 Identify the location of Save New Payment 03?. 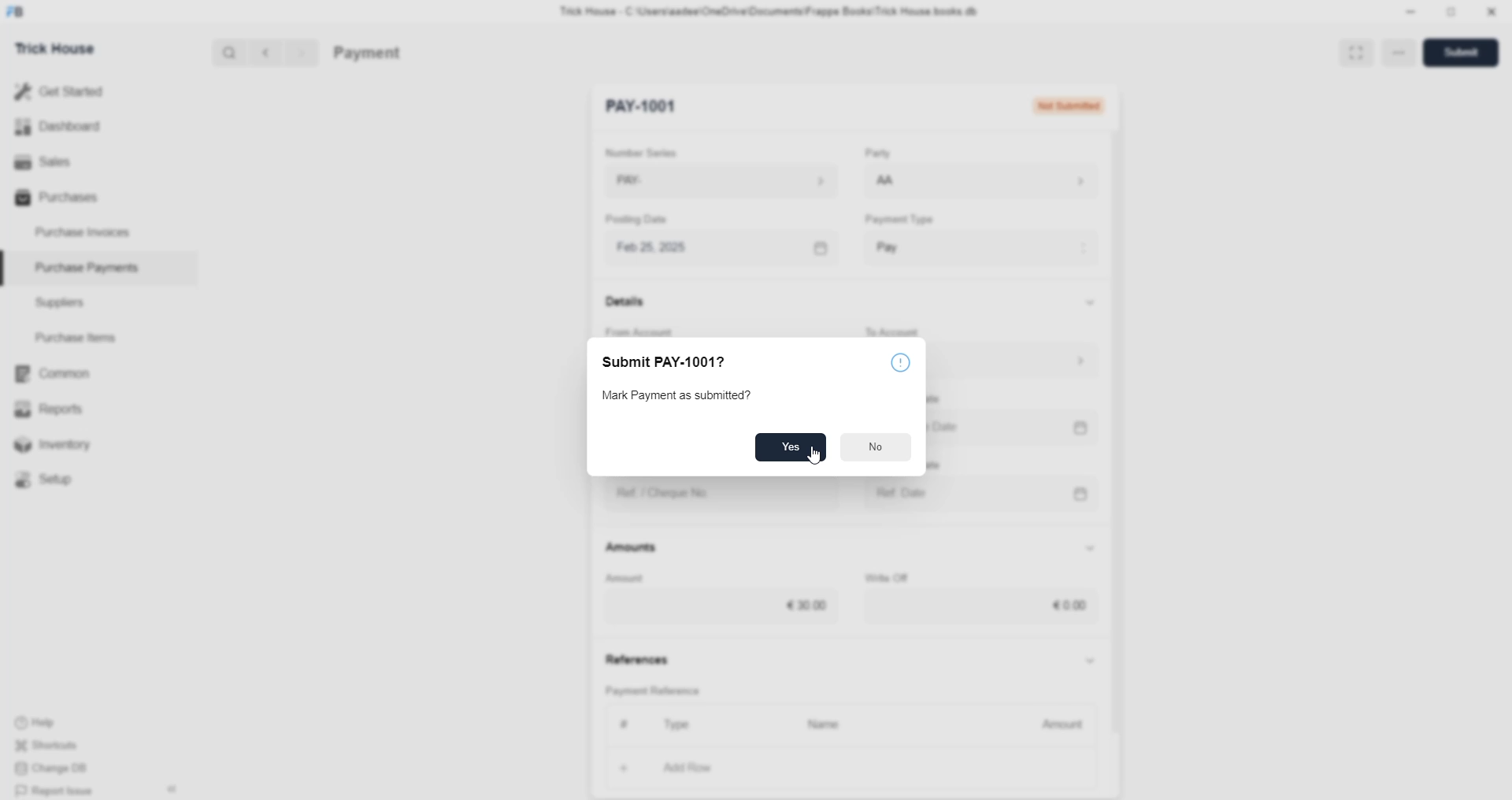
(687, 361).